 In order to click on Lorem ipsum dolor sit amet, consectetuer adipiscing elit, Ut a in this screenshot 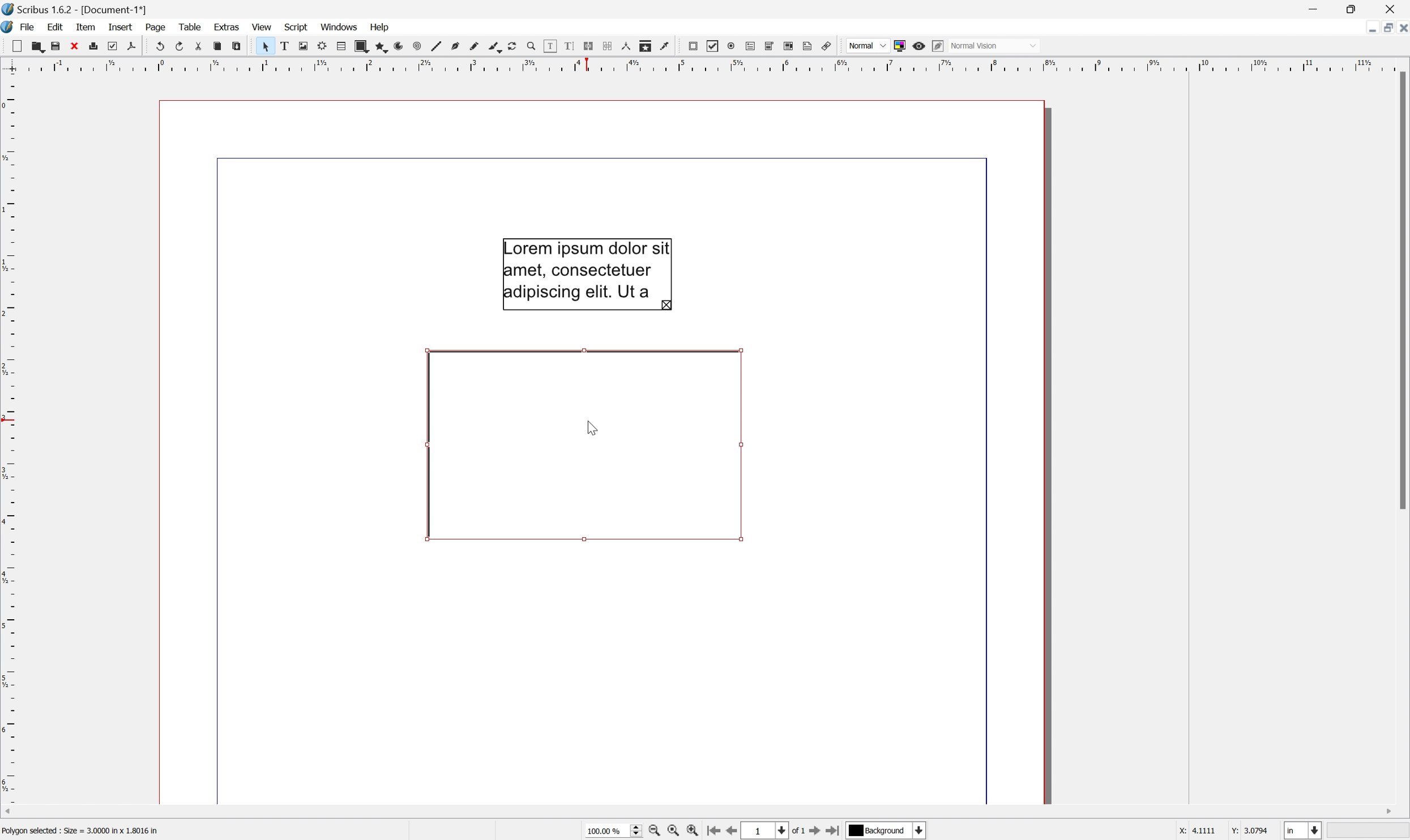, I will do `click(587, 273)`.